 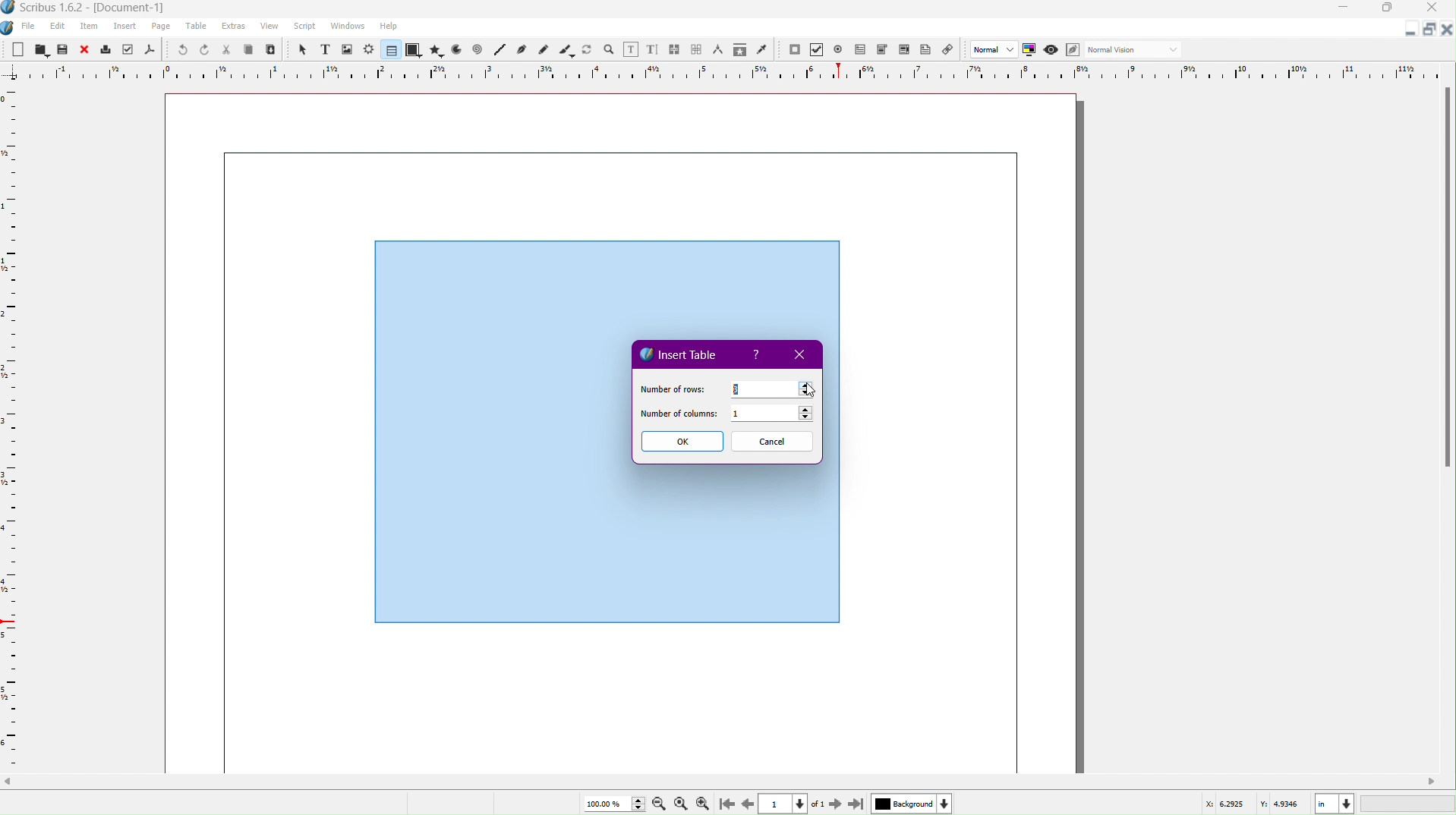 What do you see at coordinates (9, 27) in the screenshot?
I see `Logo` at bounding box center [9, 27].